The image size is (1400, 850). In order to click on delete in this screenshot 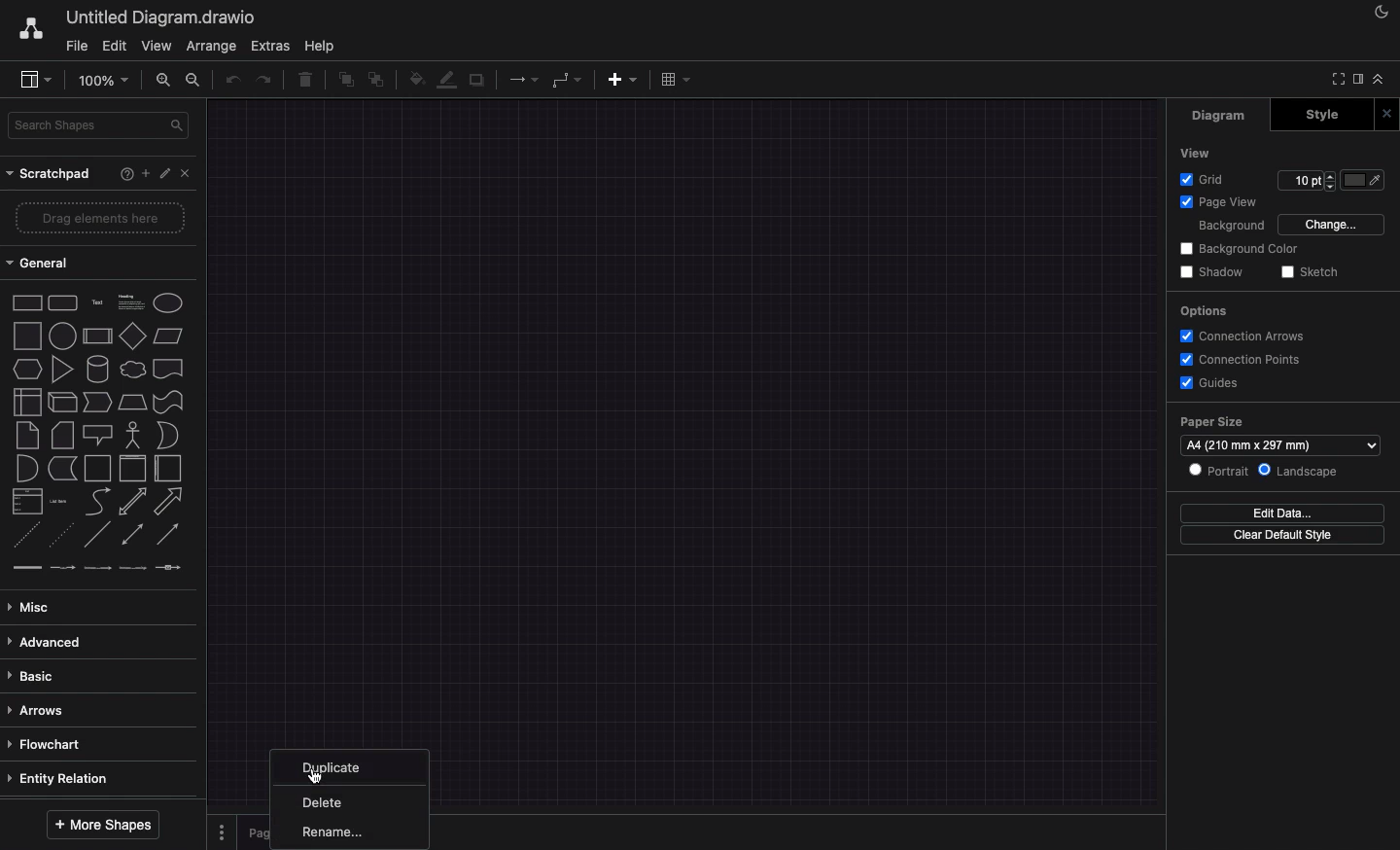, I will do `click(304, 79)`.